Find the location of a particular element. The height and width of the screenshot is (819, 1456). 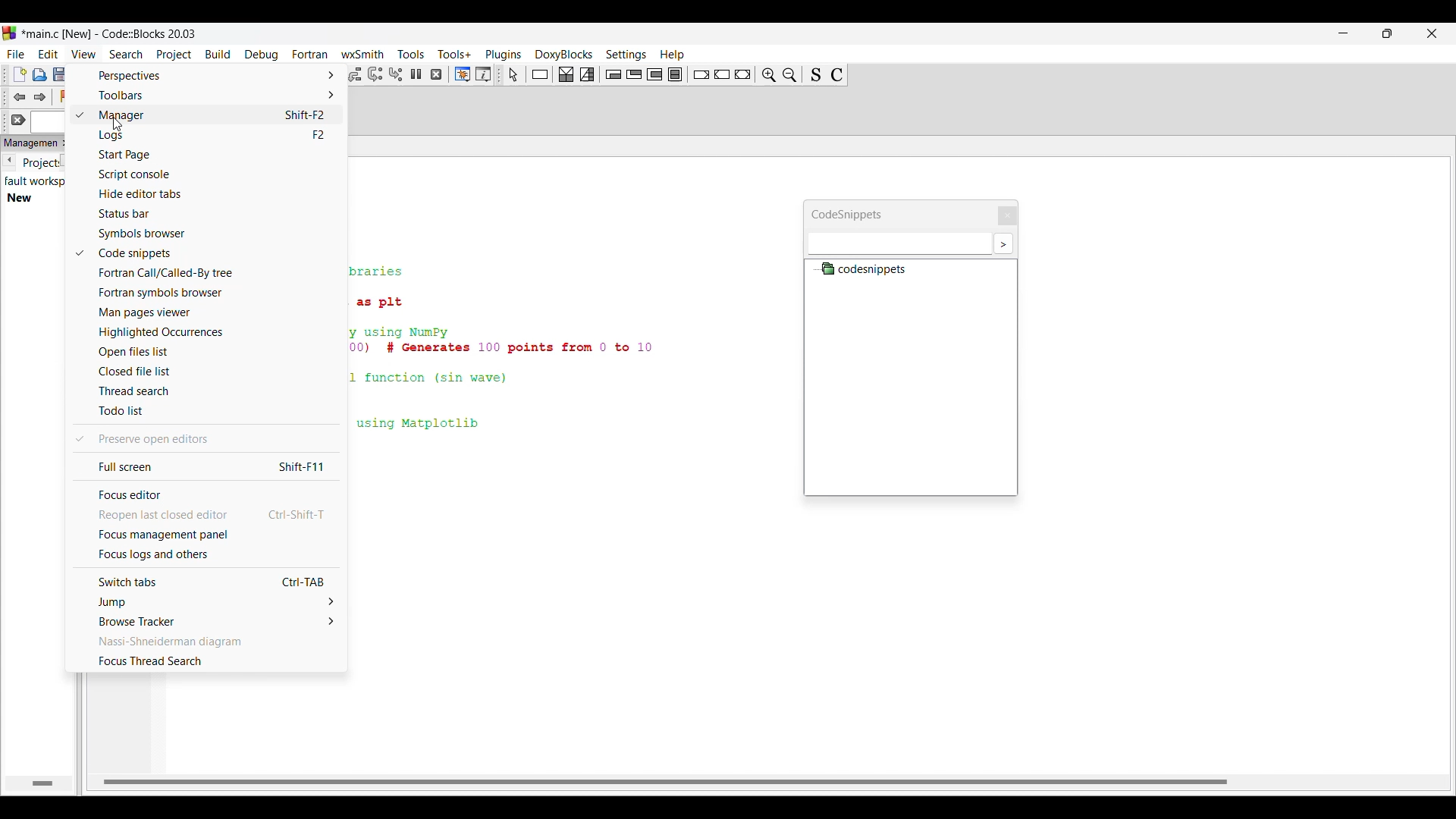

File menu is located at coordinates (16, 55).